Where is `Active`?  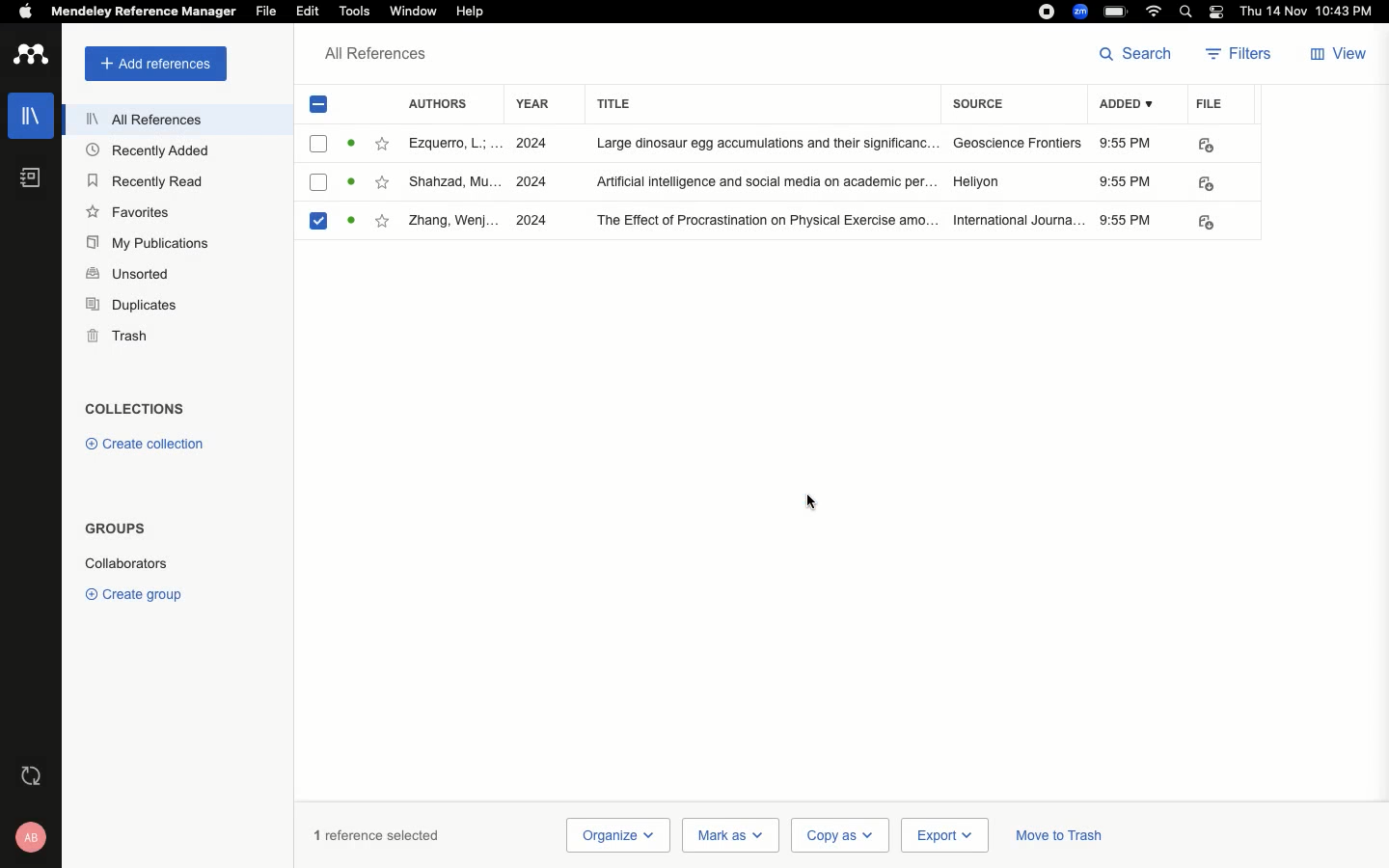 Active is located at coordinates (350, 143).